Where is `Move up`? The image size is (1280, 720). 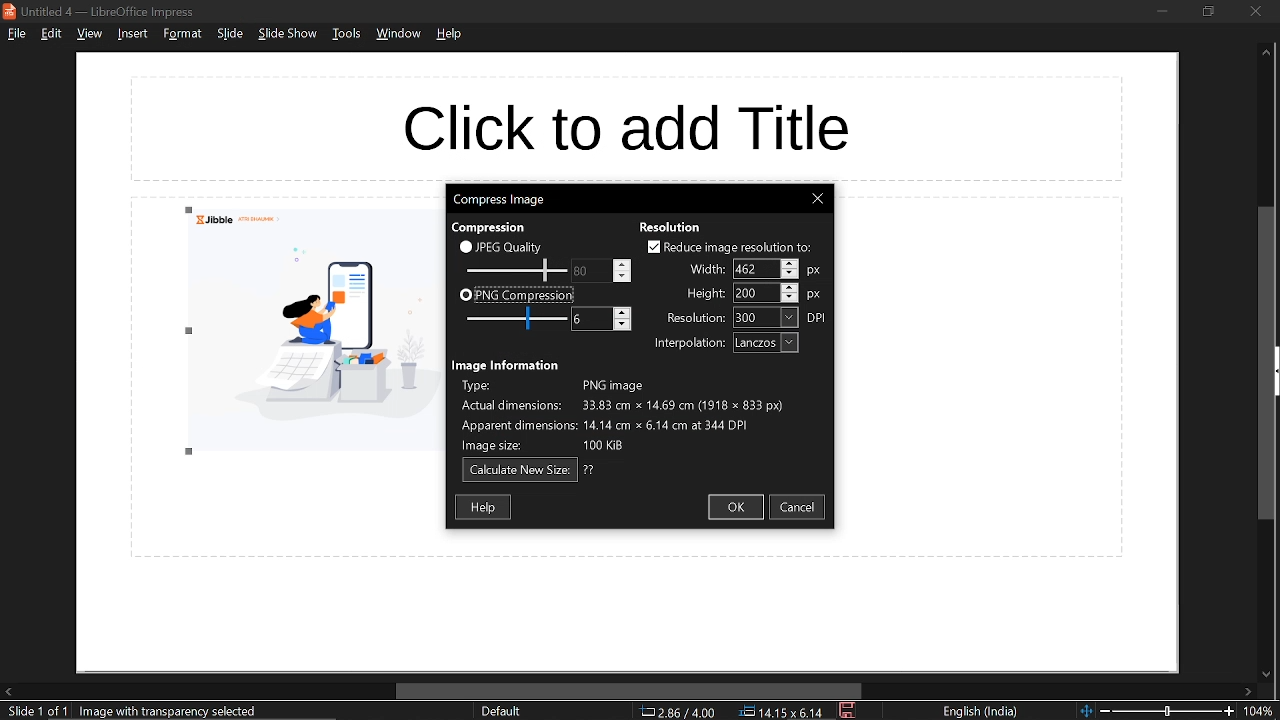 Move up is located at coordinates (1266, 53).